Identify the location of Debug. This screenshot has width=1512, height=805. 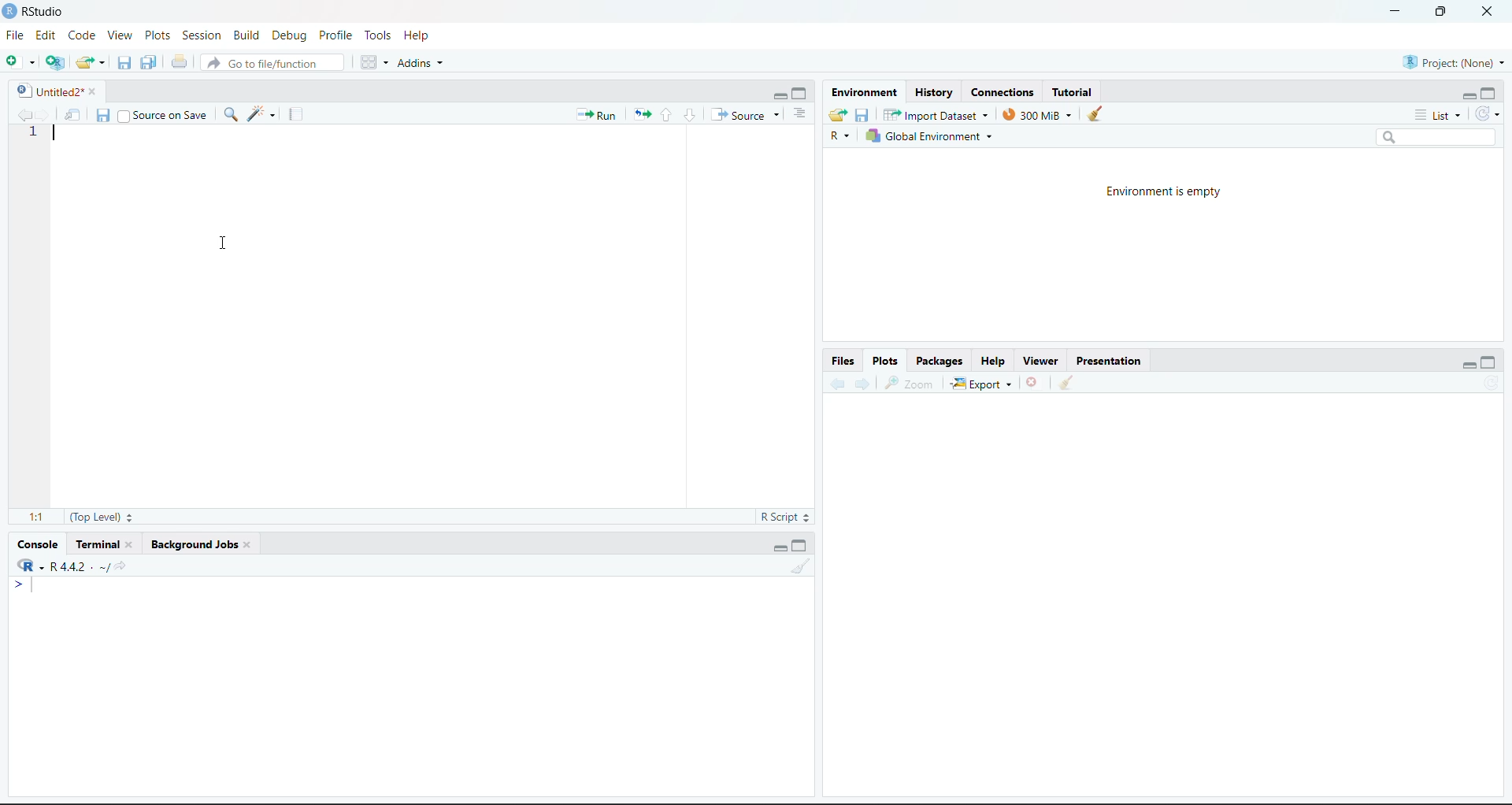
(289, 35).